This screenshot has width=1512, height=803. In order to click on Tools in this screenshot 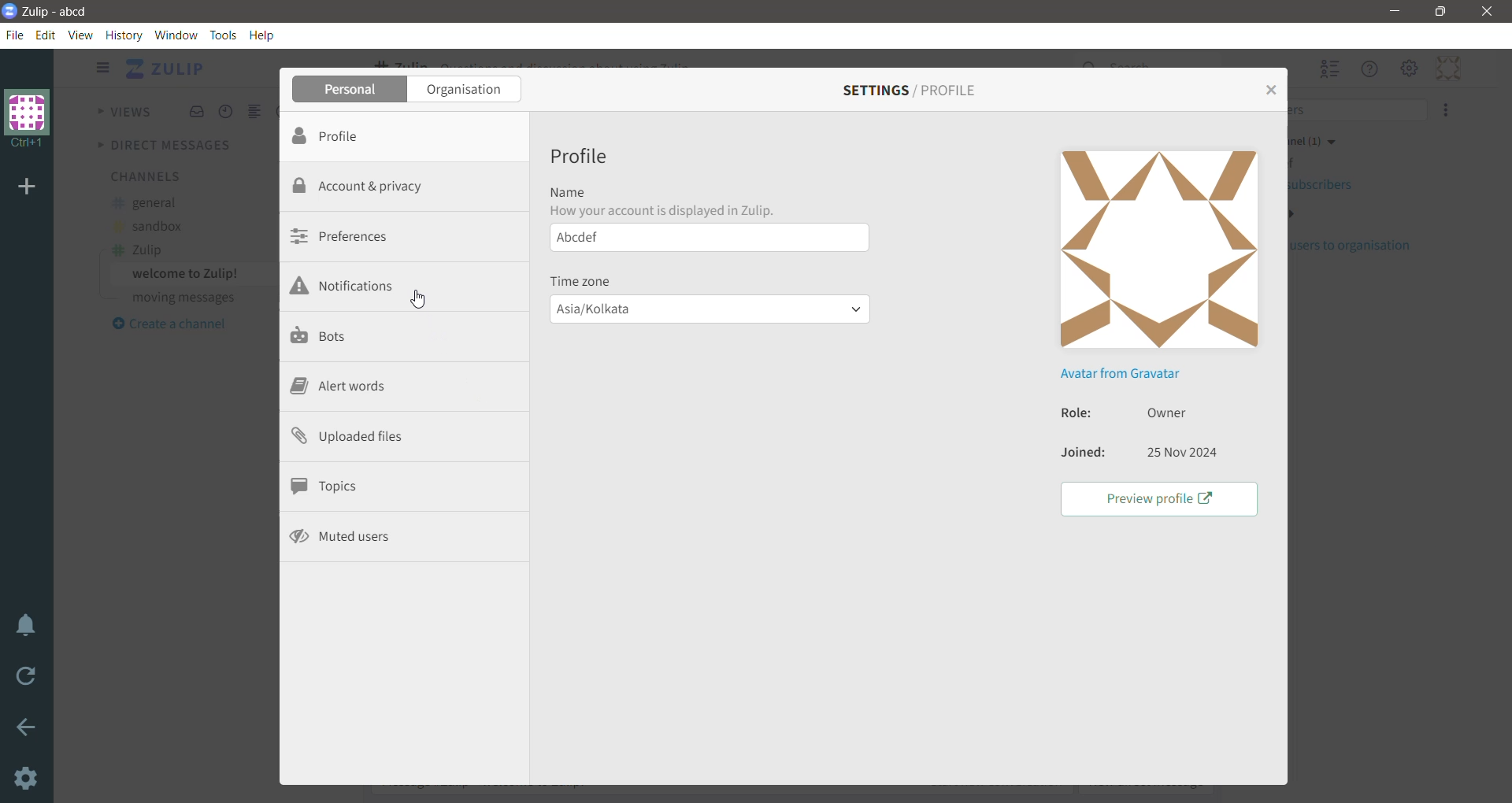, I will do `click(225, 35)`.